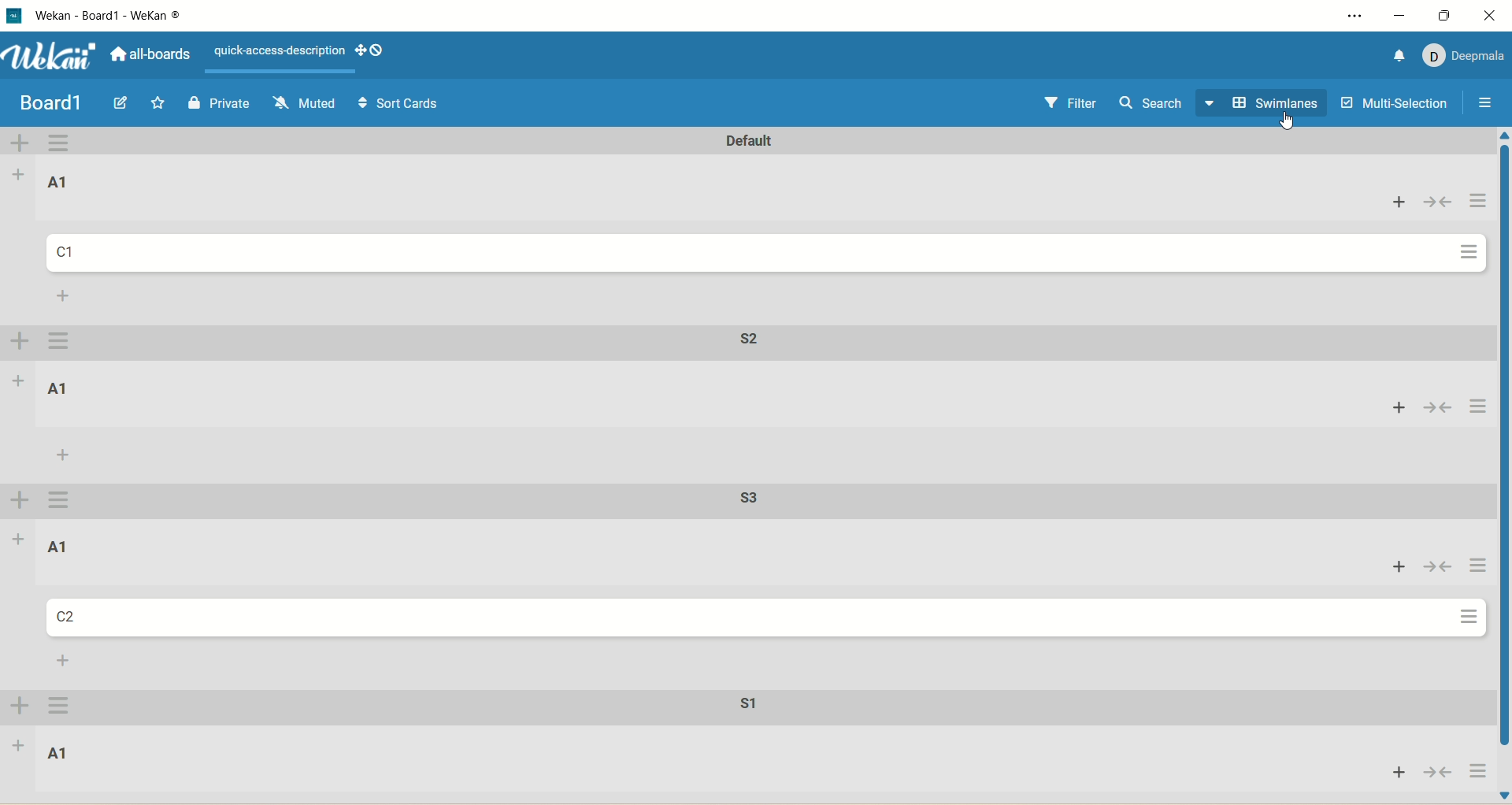 The height and width of the screenshot is (805, 1512). What do you see at coordinates (1436, 773) in the screenshot?
I see `collapse` at bounding box center [1436, 773].